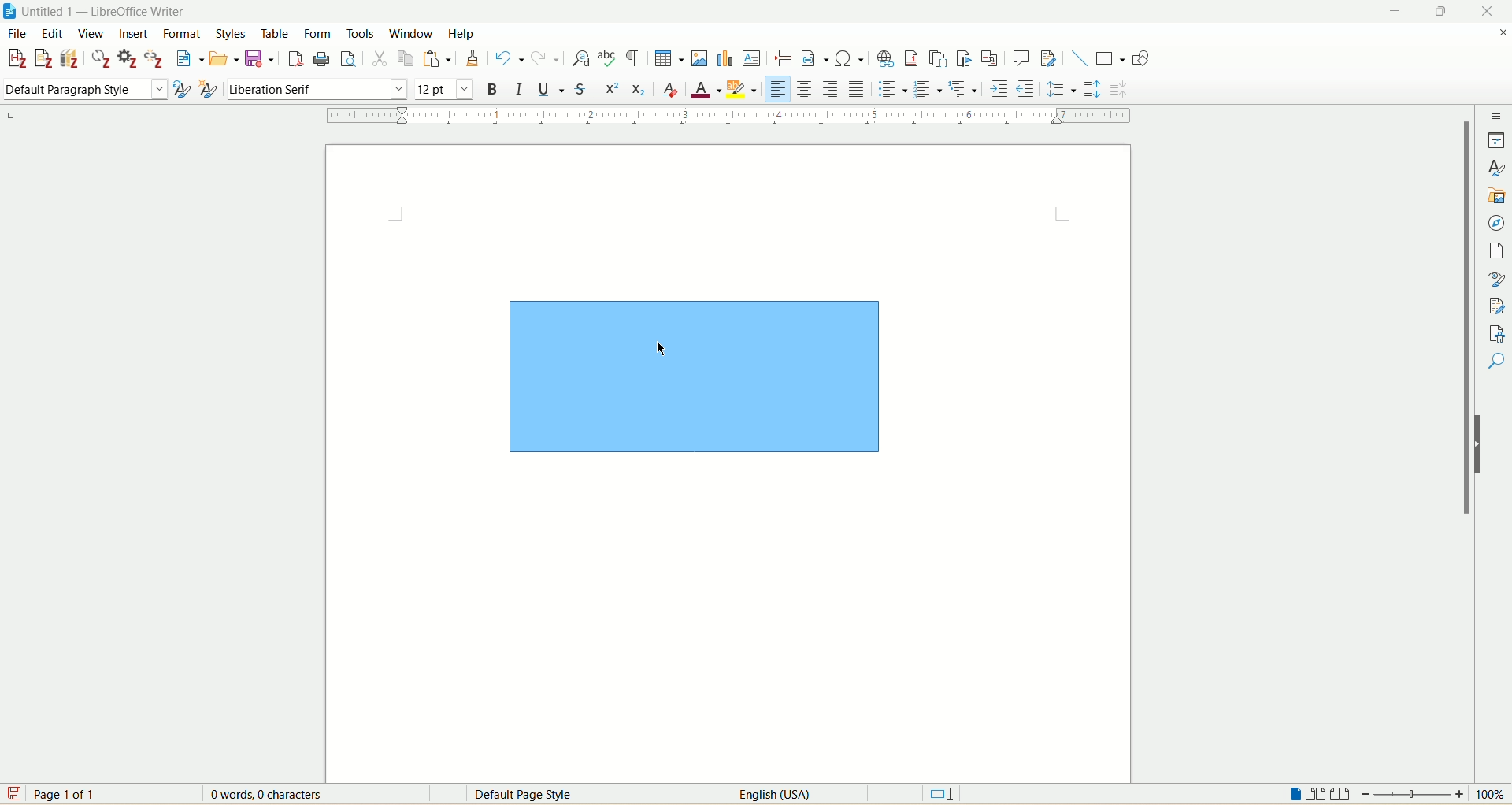  I want to click on window, so click(412, 32).